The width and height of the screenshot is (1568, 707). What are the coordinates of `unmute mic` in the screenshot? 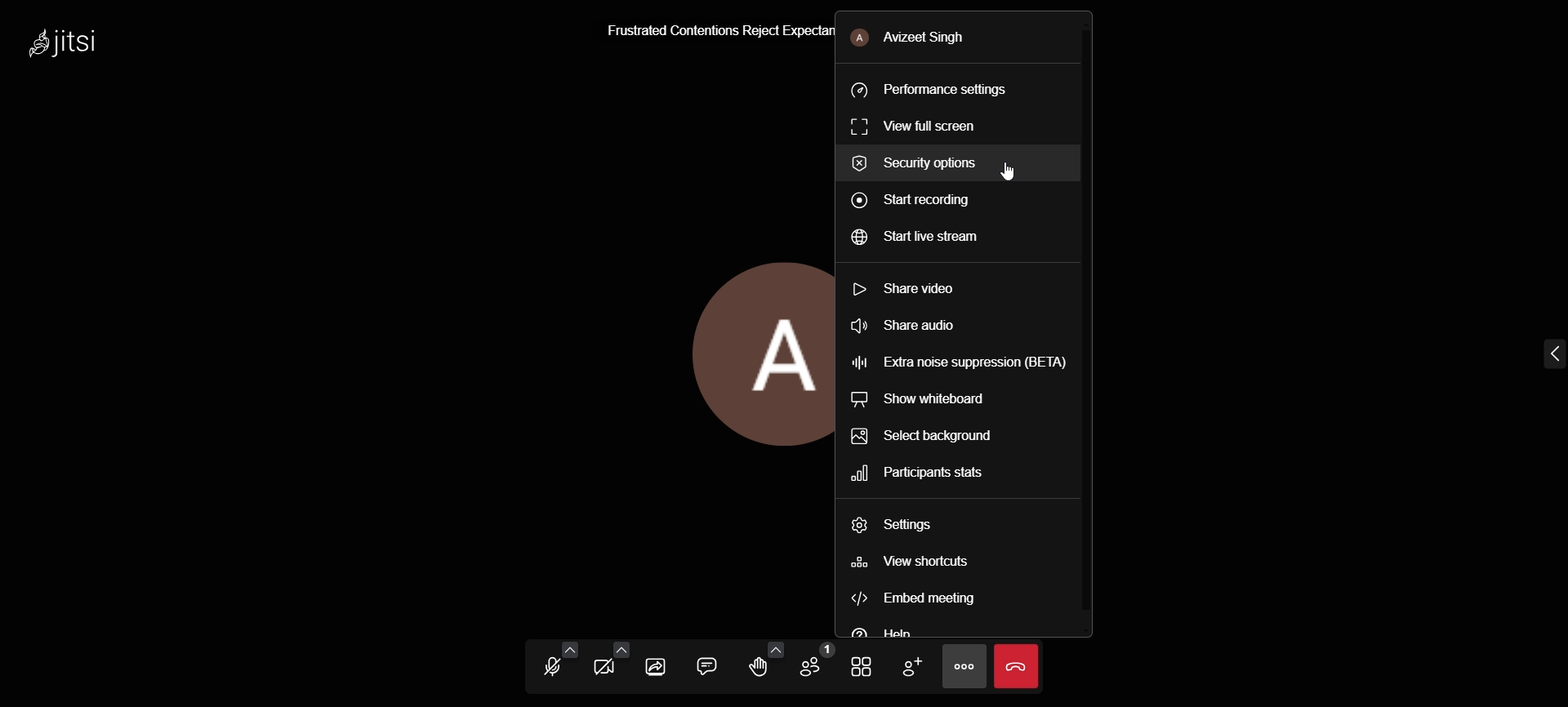 It's located at (550, 669).